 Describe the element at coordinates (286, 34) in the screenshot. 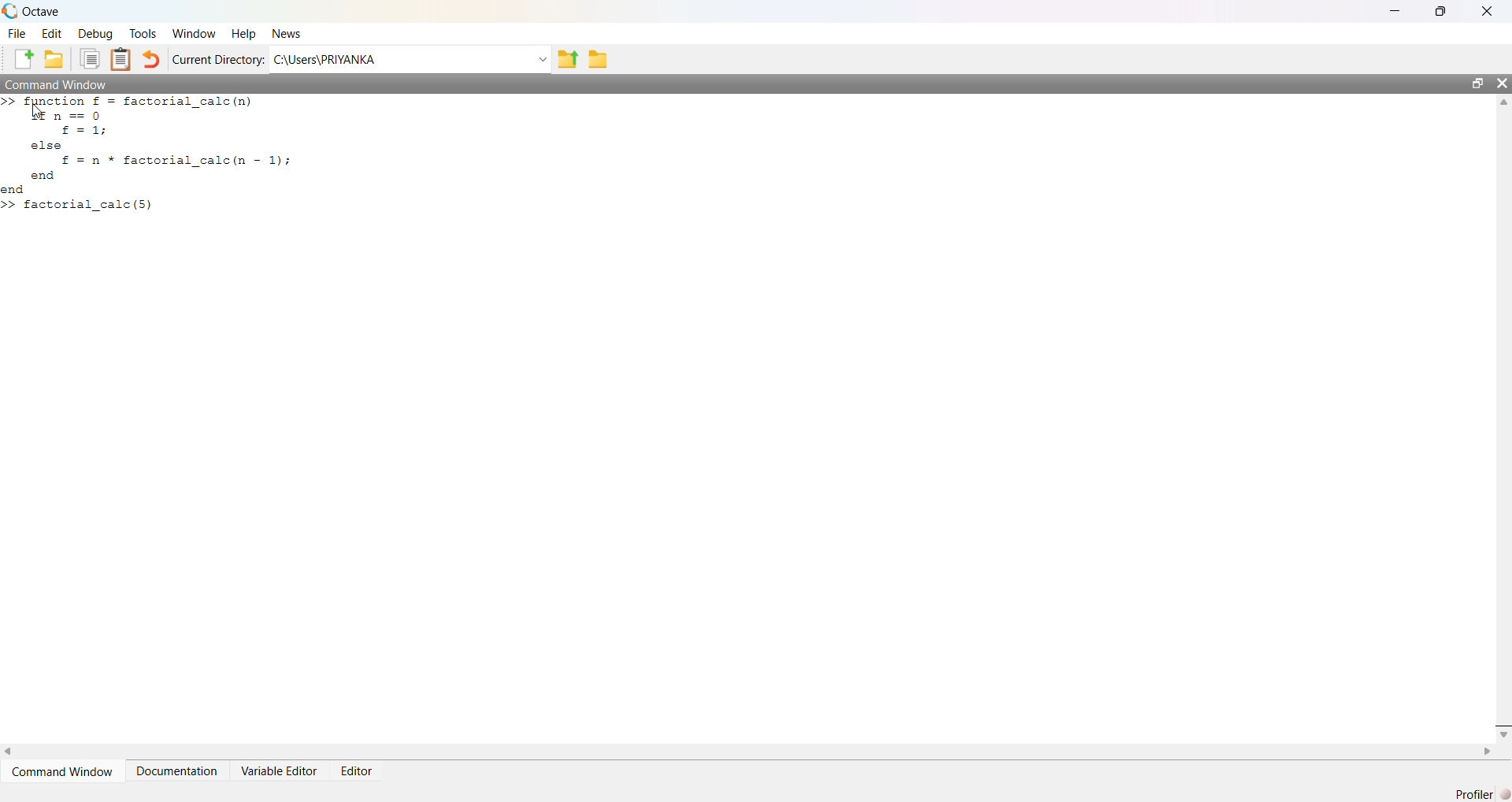

I see `news` at that location.